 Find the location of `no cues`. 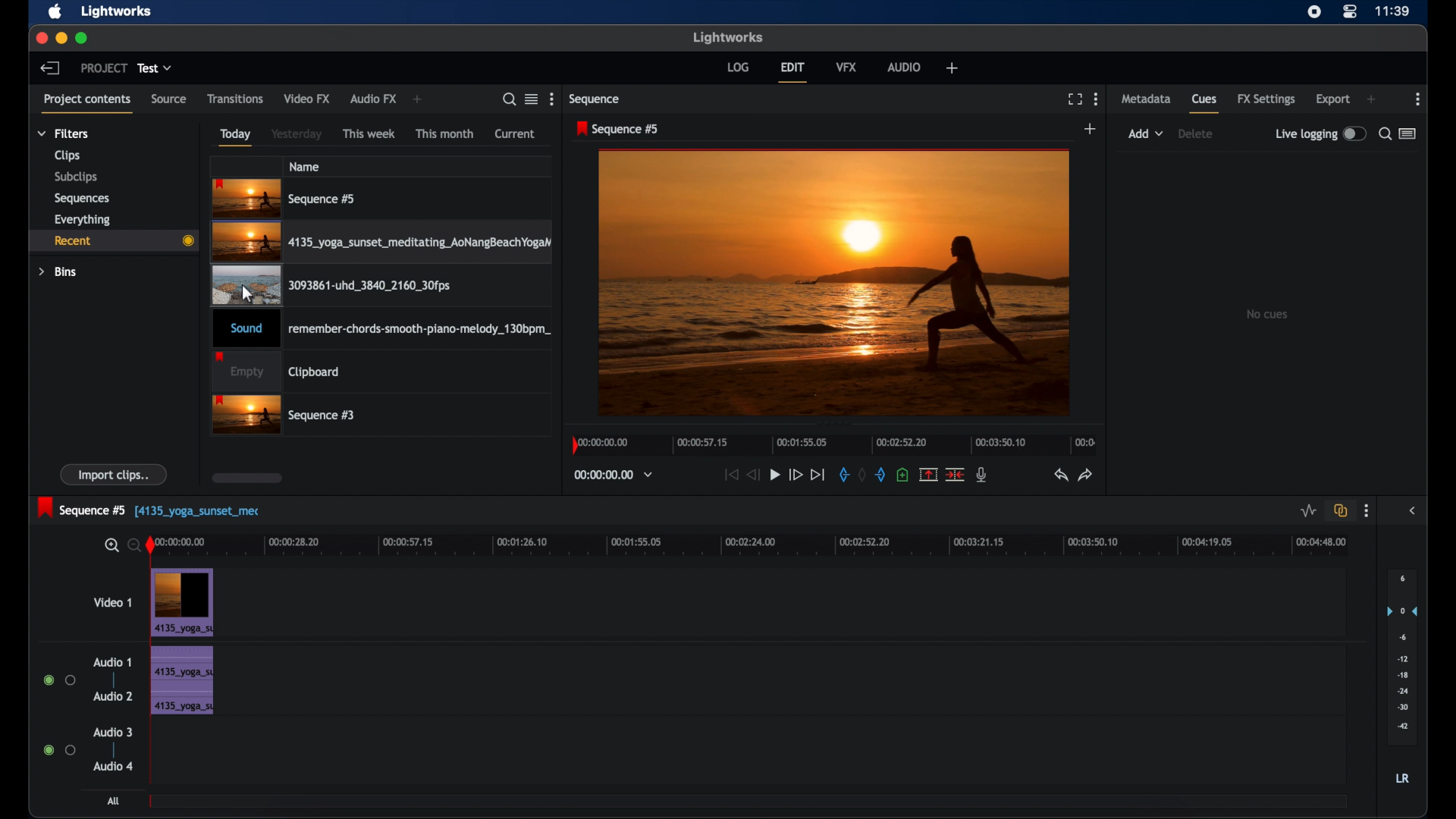

no cues is located at coordinates (1269, 314).